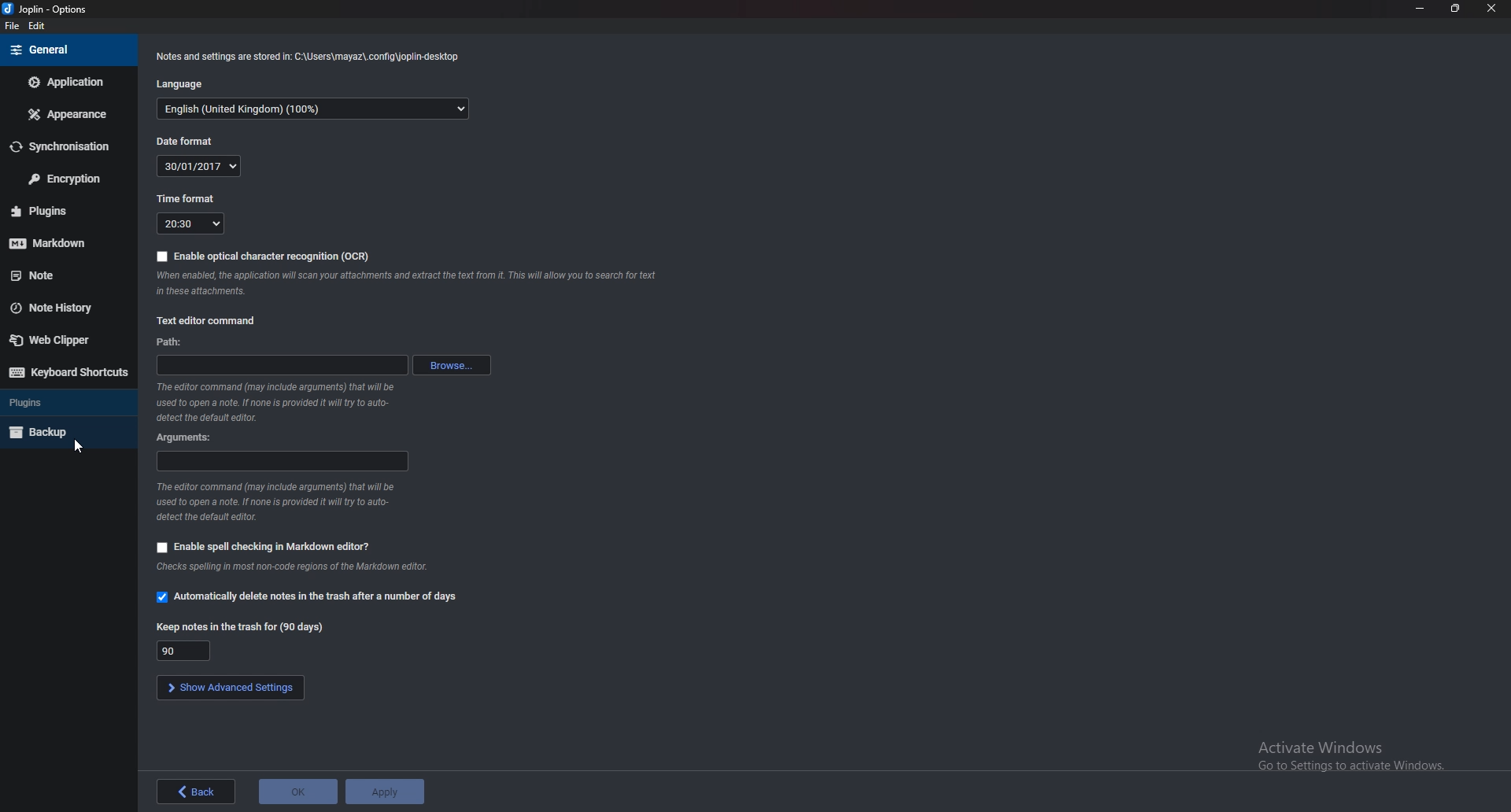 The height and width of the screenshot is (812, 1511). What do you see at coordinates (1362, 752) in the screenshot?
I see `activate windows` at bounding box center [1362, 752].